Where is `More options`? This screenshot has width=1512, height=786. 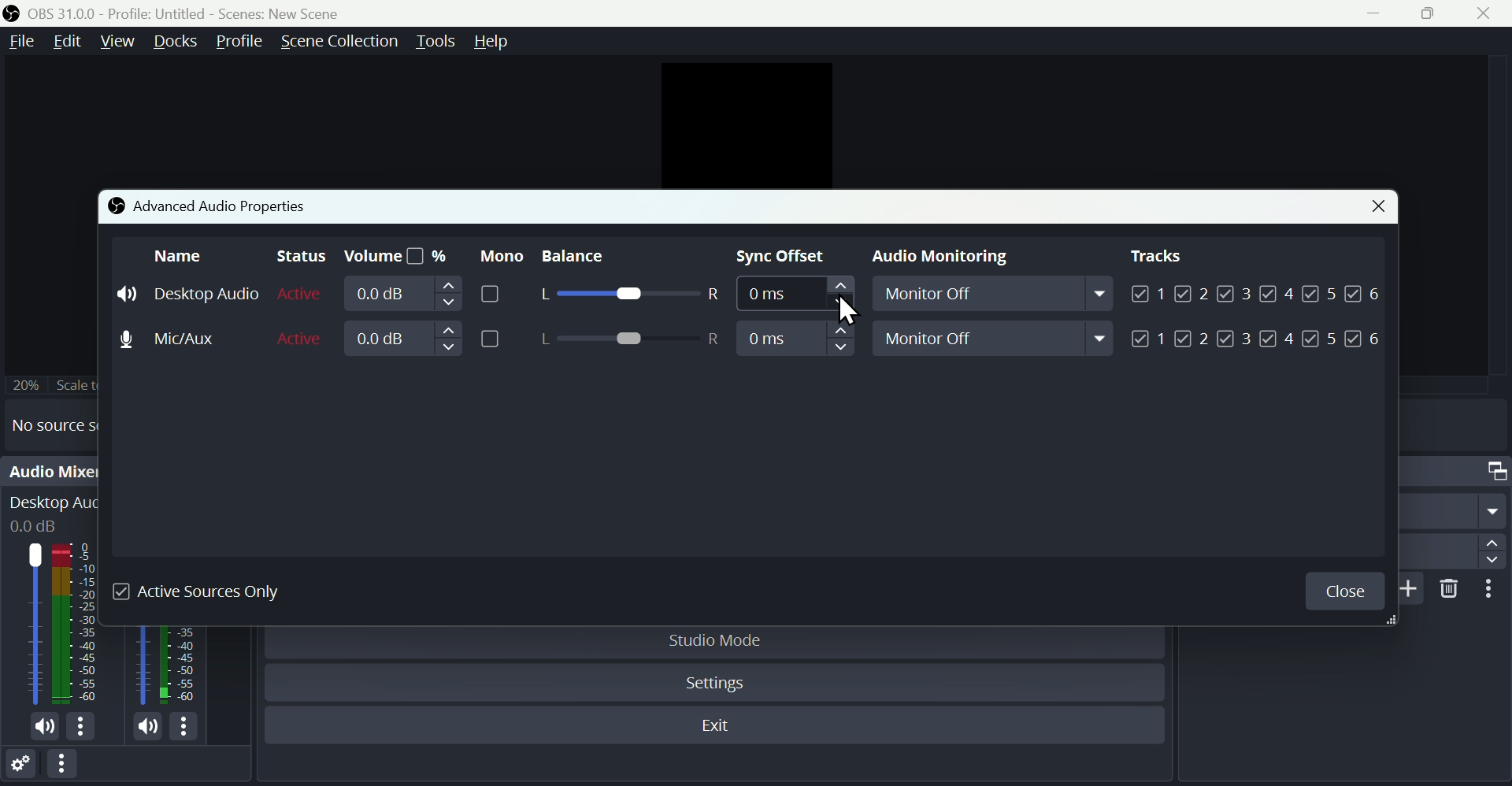 More options is located at coordinates (65, 769).